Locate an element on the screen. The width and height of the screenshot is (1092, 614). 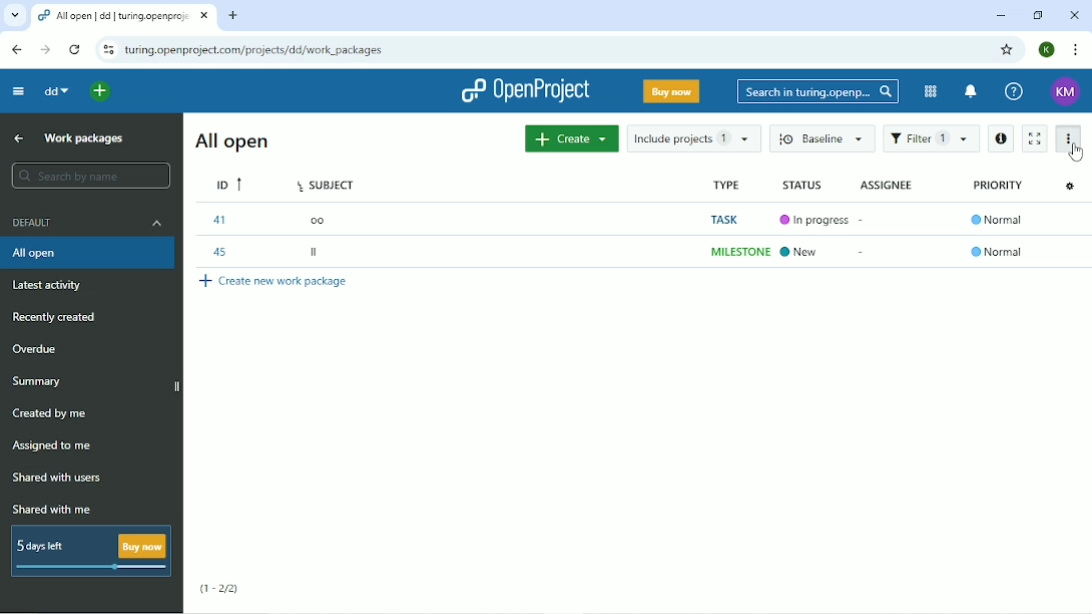
TASK is located at coordinates (729, 220).